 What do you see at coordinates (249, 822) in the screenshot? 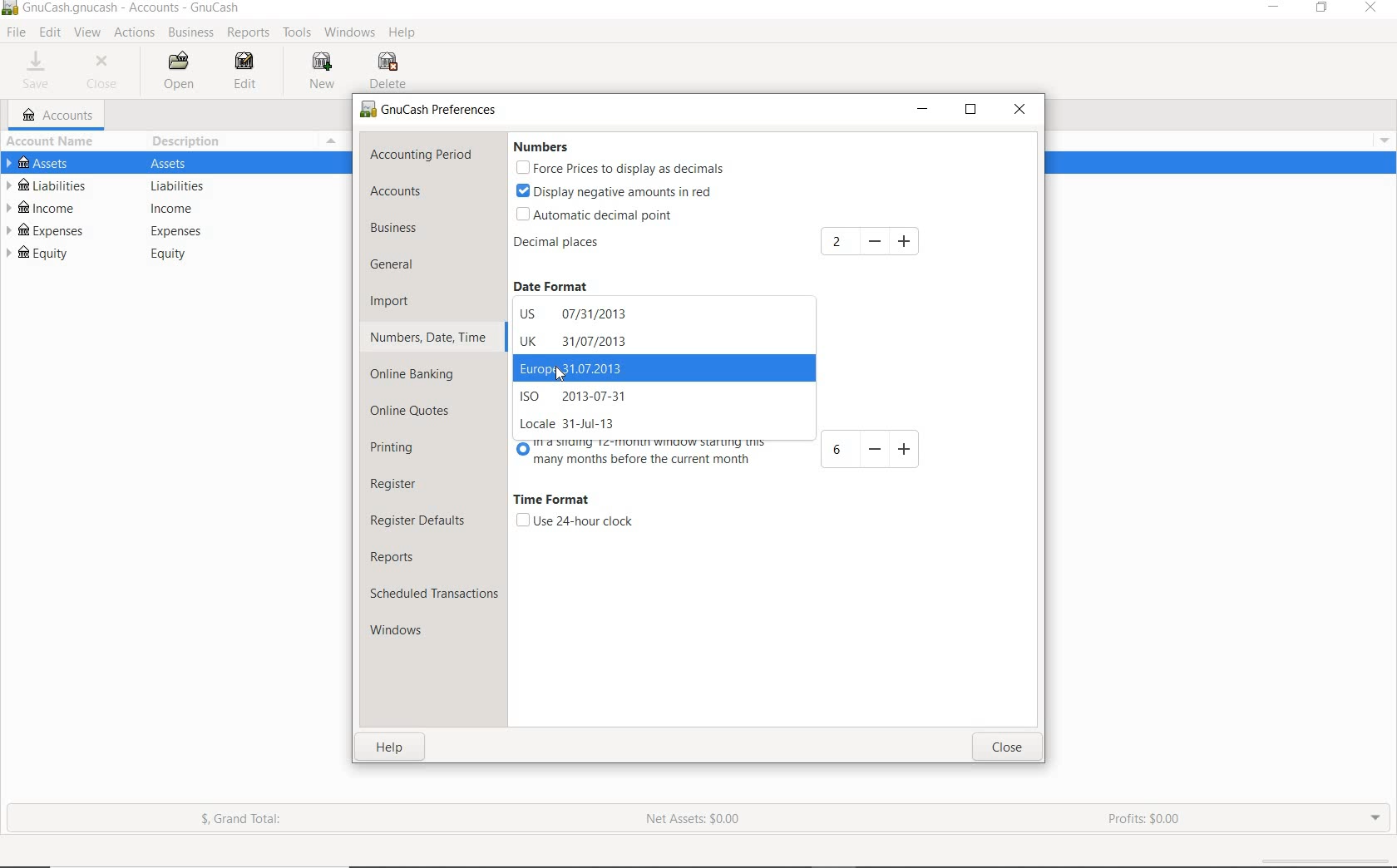
I see `GRAND TOTAL` at bounding box center [249, 822].